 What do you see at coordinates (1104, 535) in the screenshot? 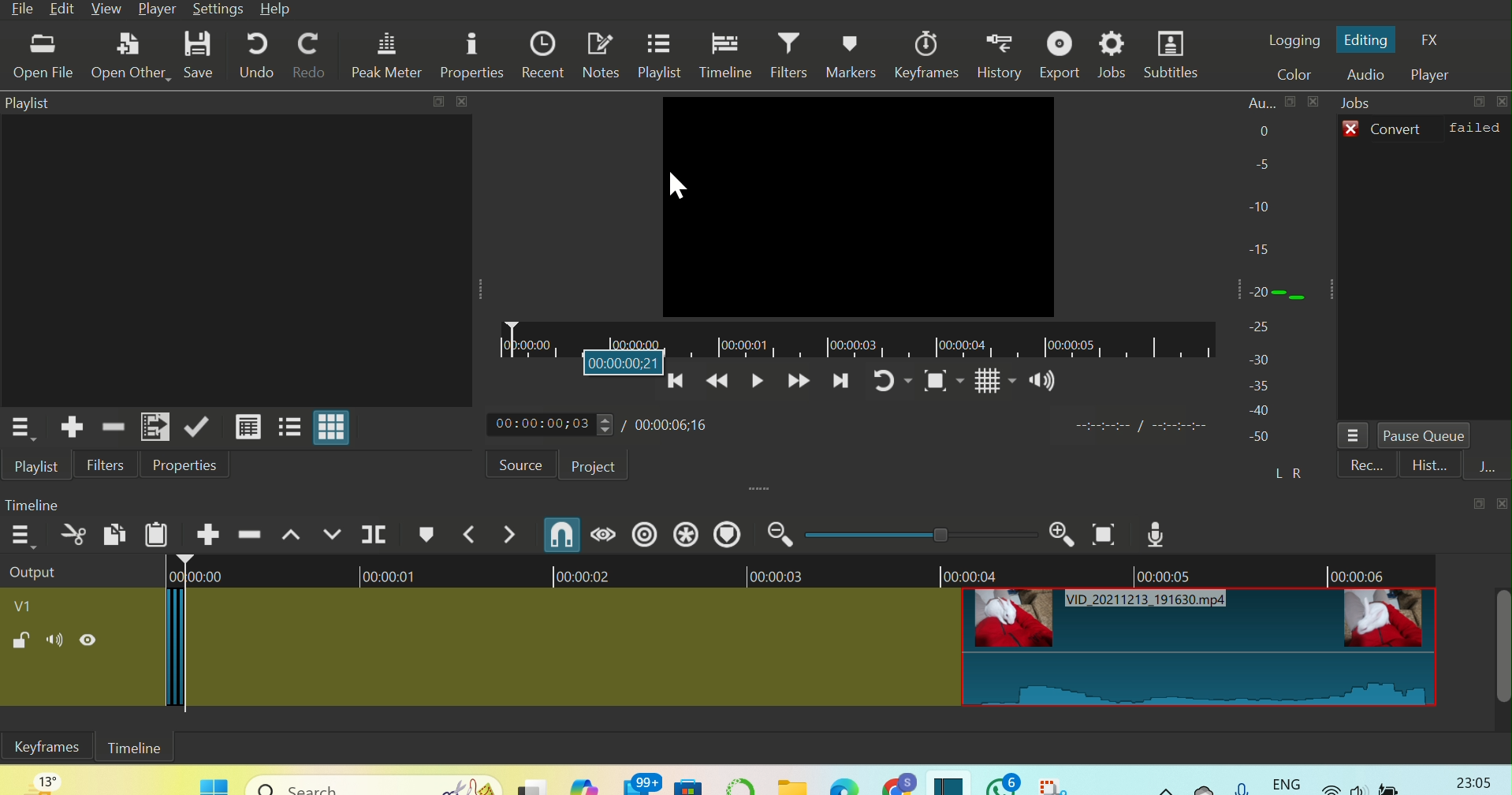
I see `Snap` at bounding box center [1104, 535].